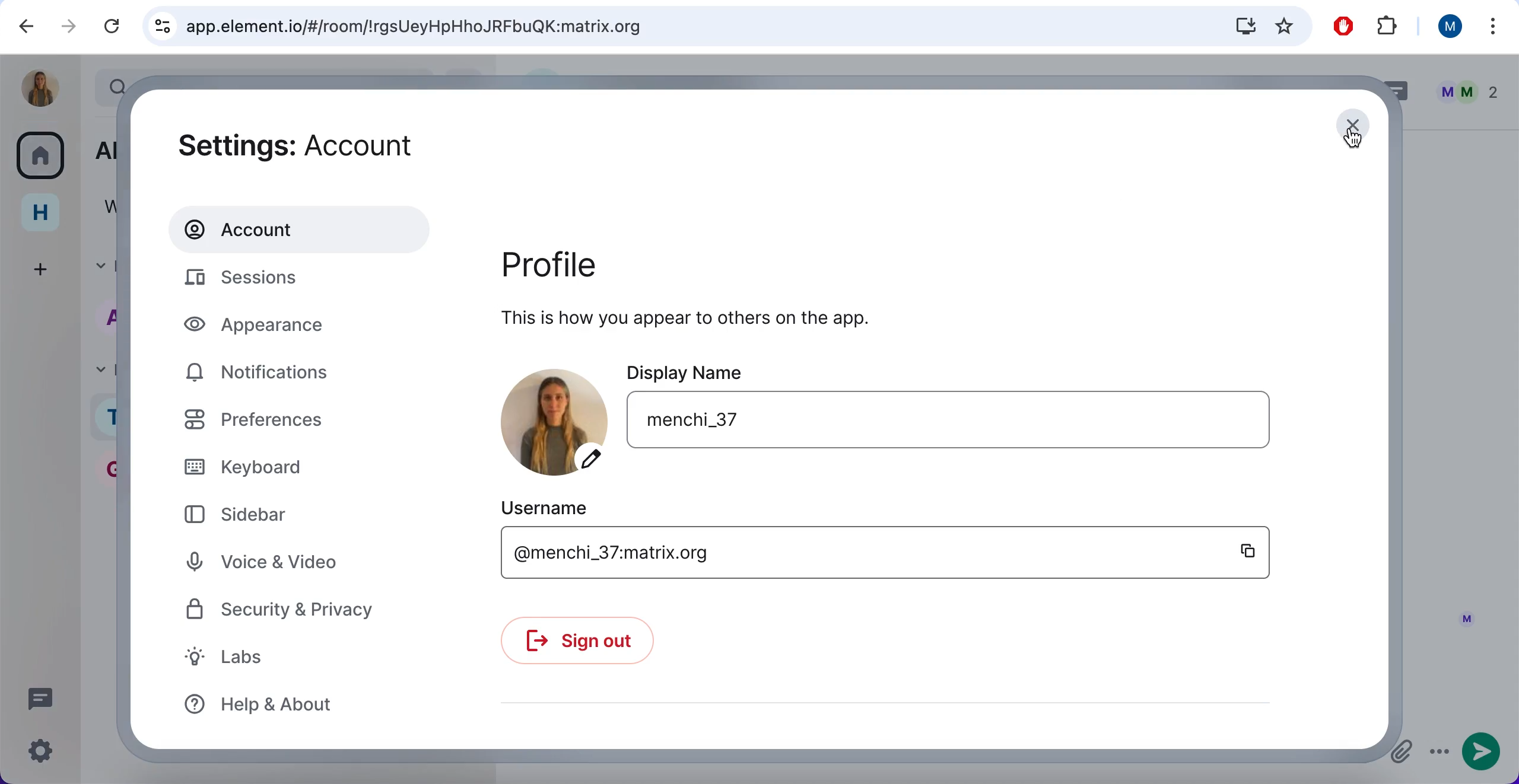 This screenshot has width=1519, height=784. Describe the element at coordinates (110, 27) in the screenshot. I see `reload current page` at that location.